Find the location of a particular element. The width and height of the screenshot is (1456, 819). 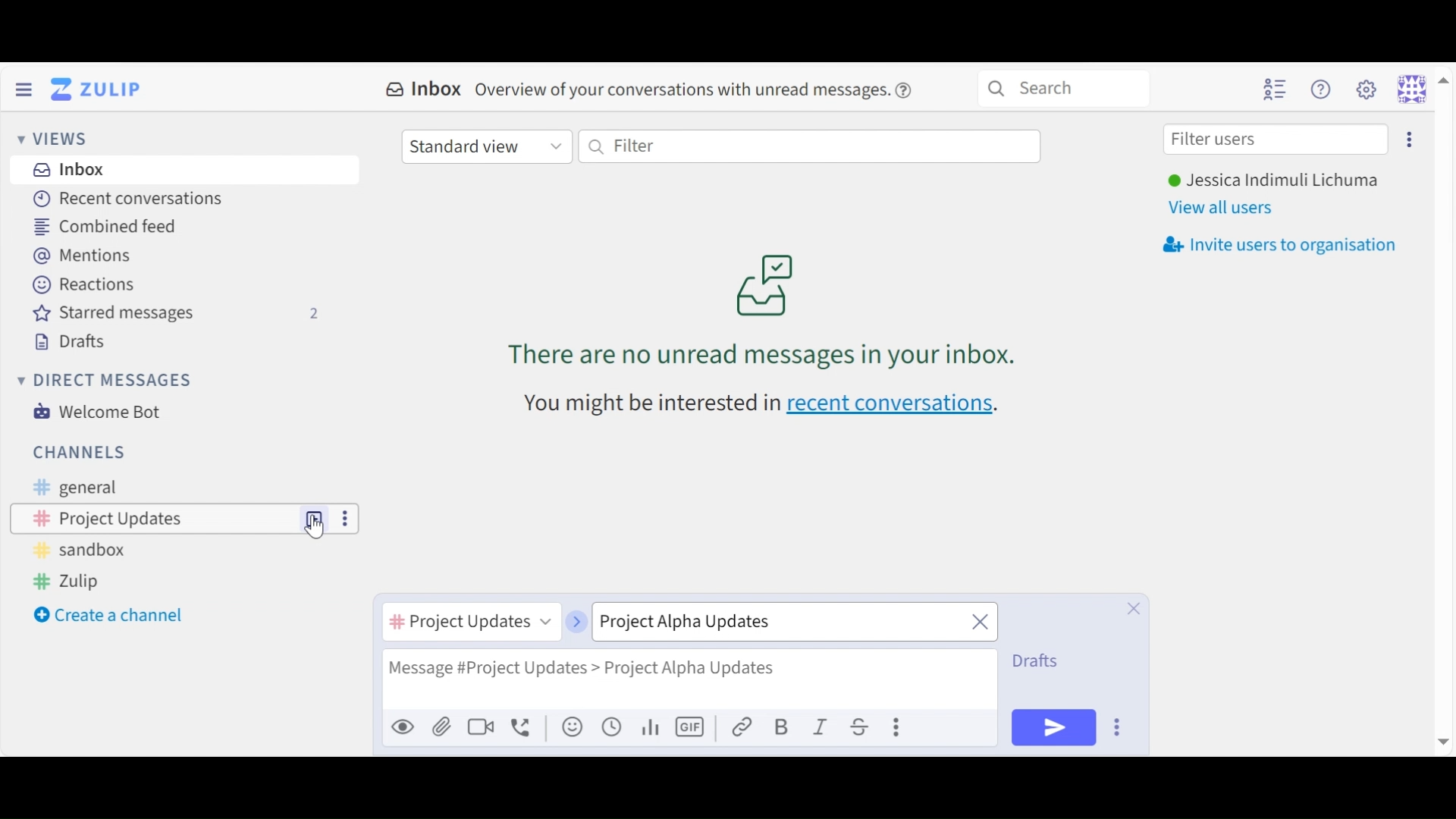

Welcome Bot is located at coordinates (102, 412).